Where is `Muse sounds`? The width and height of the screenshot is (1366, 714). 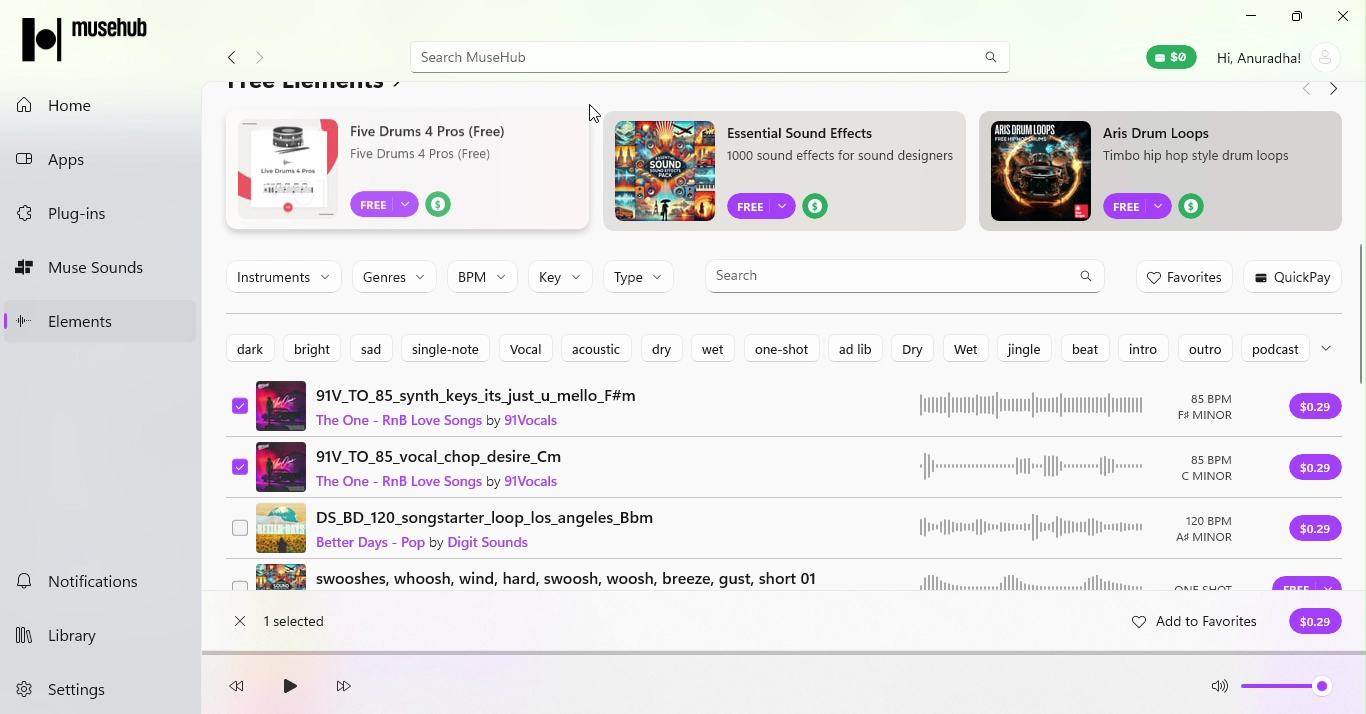
Muse sounds is located at coordinates (102, 269).